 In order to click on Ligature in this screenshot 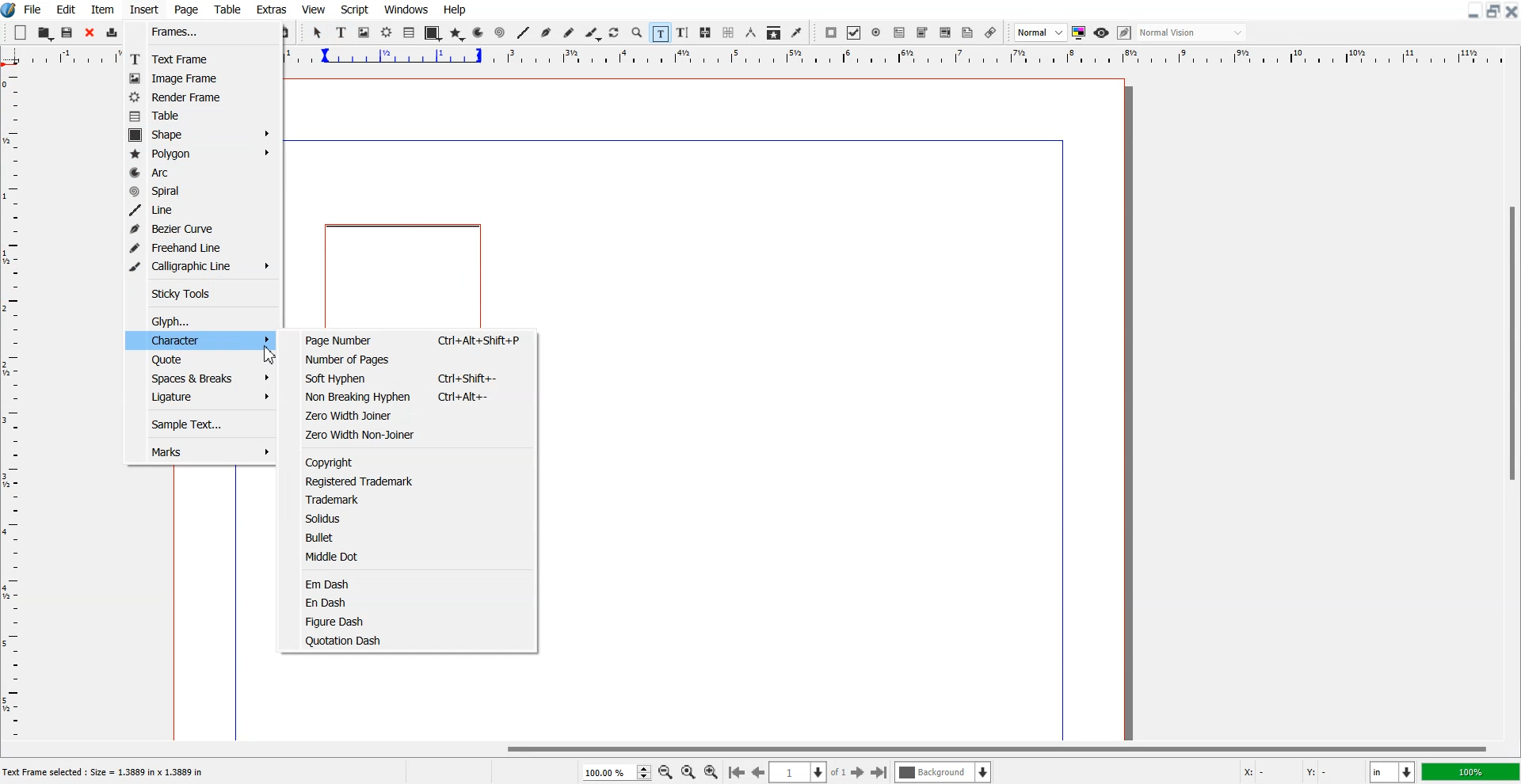, I will do `click(199, 398)`.